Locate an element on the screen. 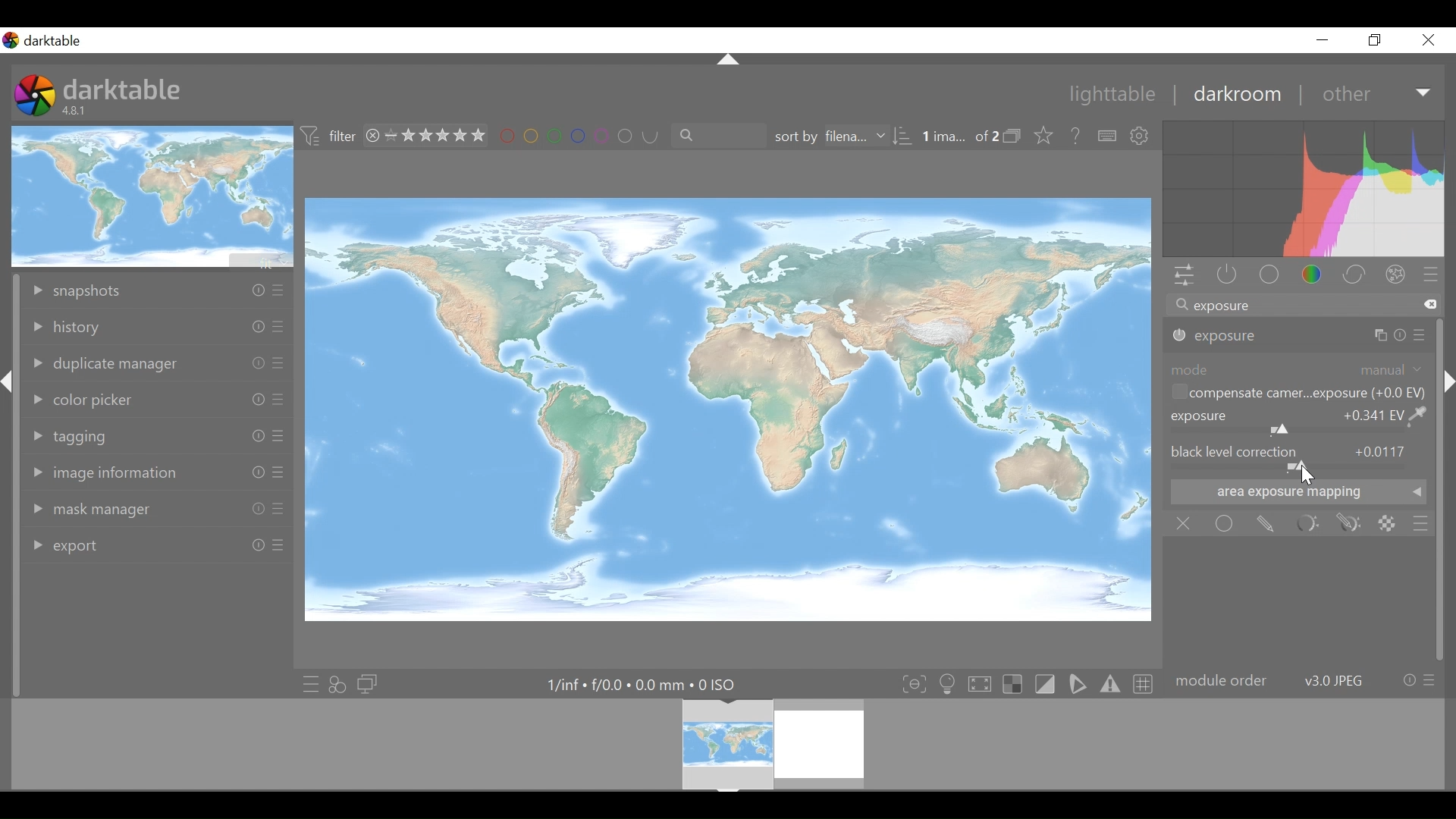 The image size is (1456, 819). toggle focus-peaking mode is located at coordinates (912, 684).